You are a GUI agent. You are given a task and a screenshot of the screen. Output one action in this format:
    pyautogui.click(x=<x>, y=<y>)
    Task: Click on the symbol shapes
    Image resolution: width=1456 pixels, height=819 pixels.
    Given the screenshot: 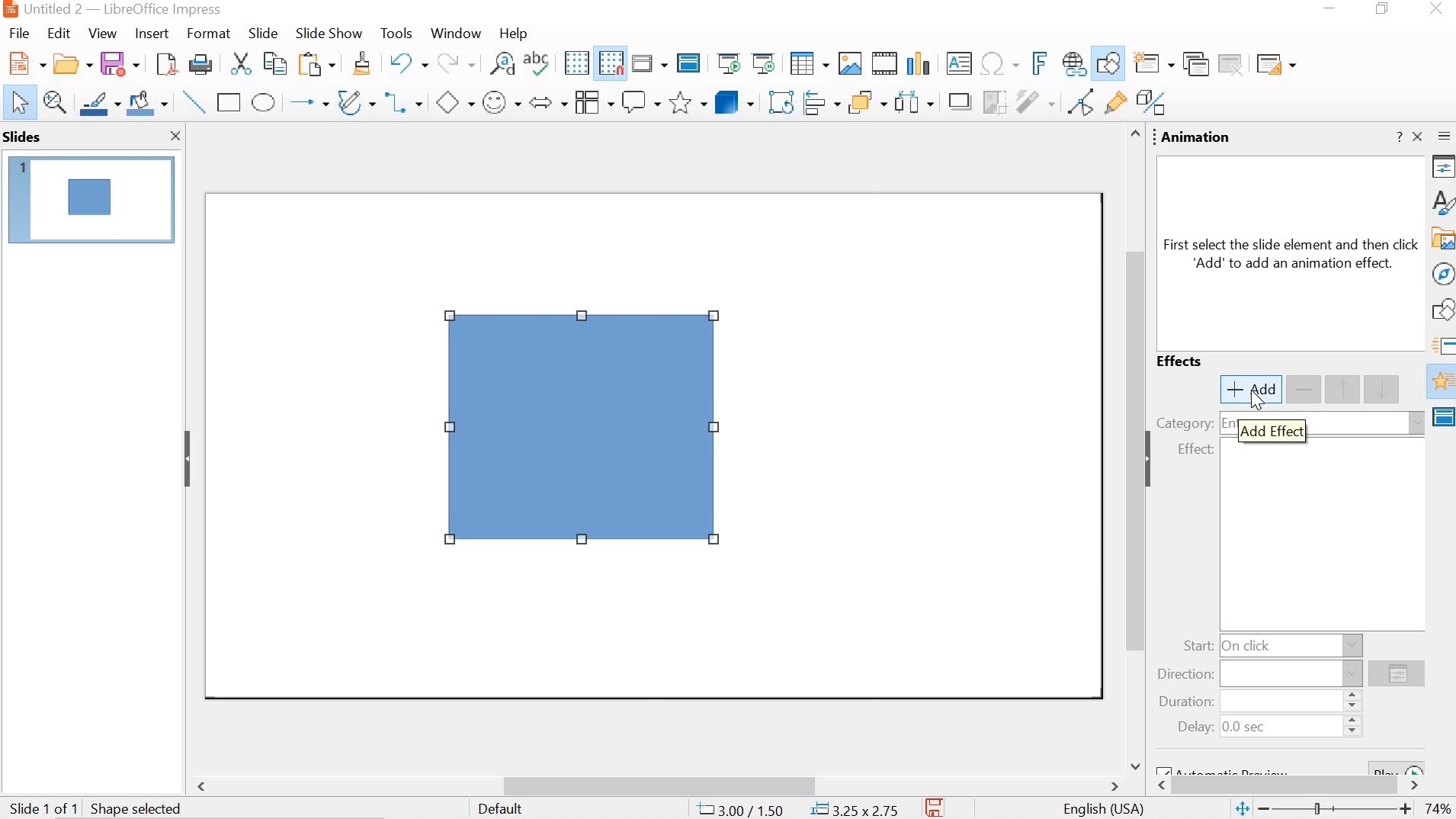 What is the action you would take?
    pyautogui.click(x=502, y=104)
    